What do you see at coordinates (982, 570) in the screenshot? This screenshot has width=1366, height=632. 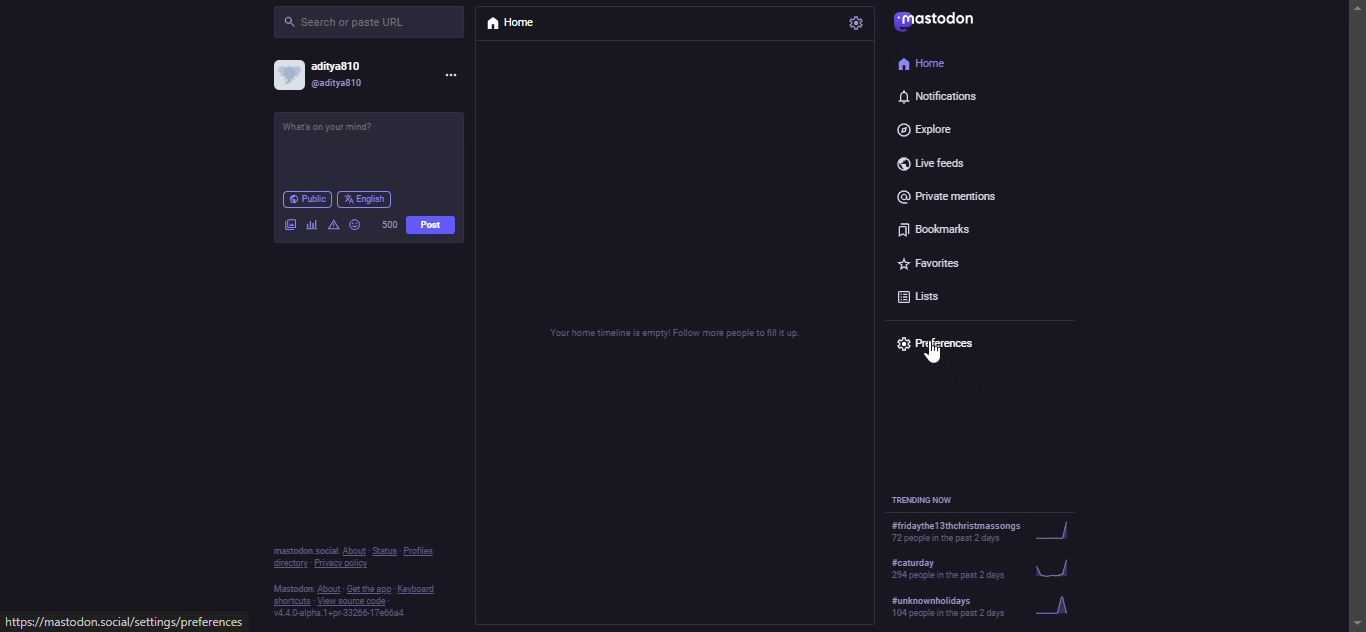 I see `trending` at bounding box center [982, 570].